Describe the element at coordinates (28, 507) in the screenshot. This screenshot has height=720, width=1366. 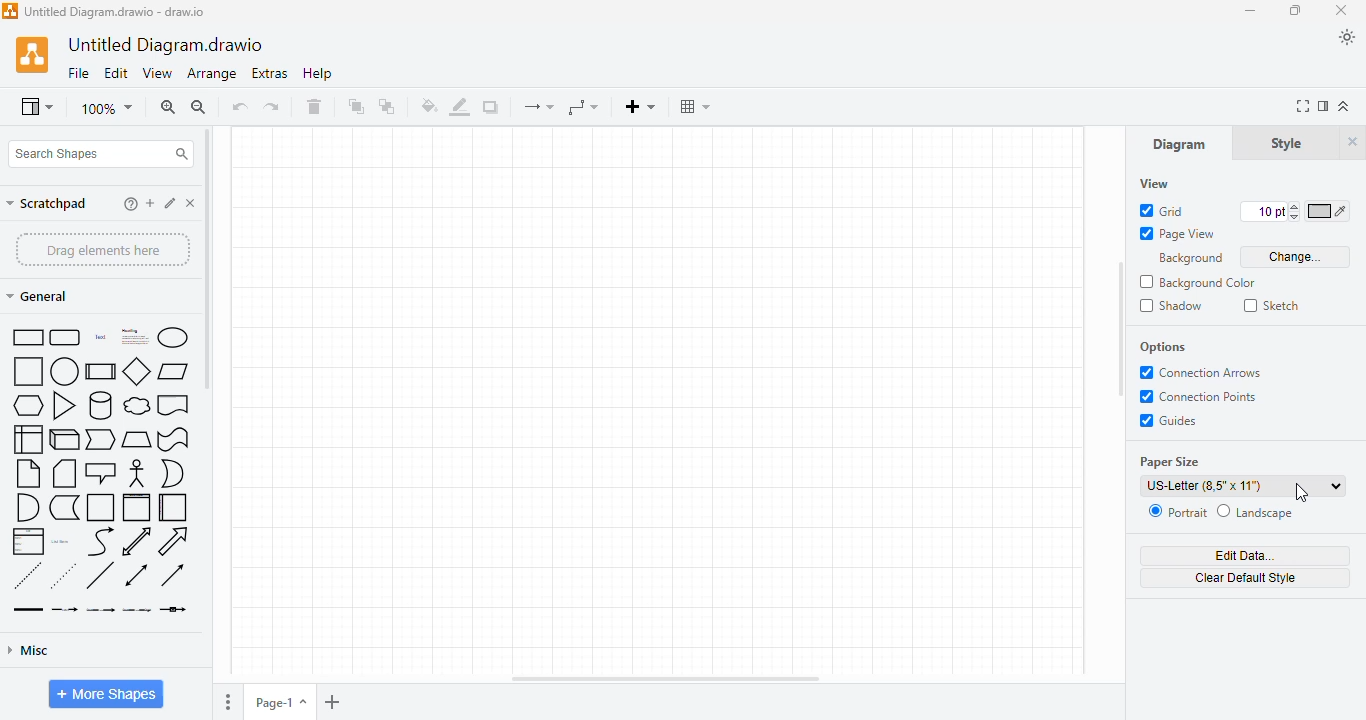
I see `and` at that location.